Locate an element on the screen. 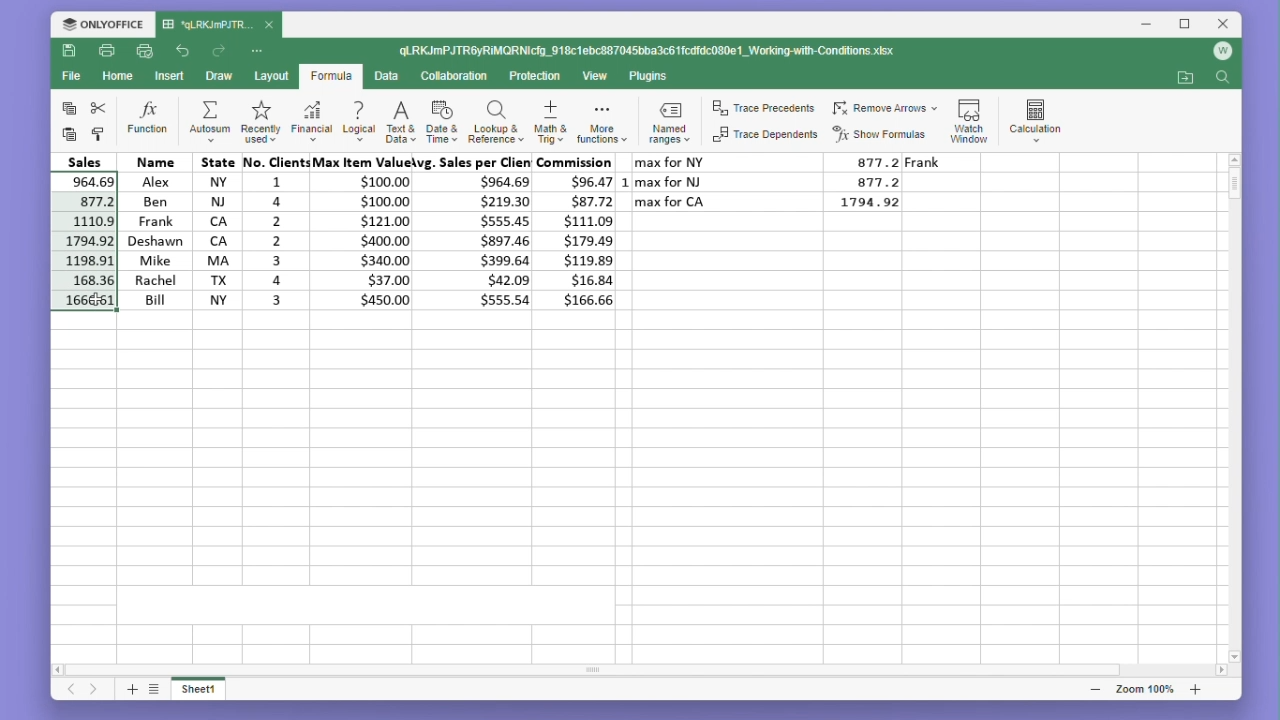 This screenshot has width=1280, height=720. avg. sales per client is located at coordinates (477, 231).